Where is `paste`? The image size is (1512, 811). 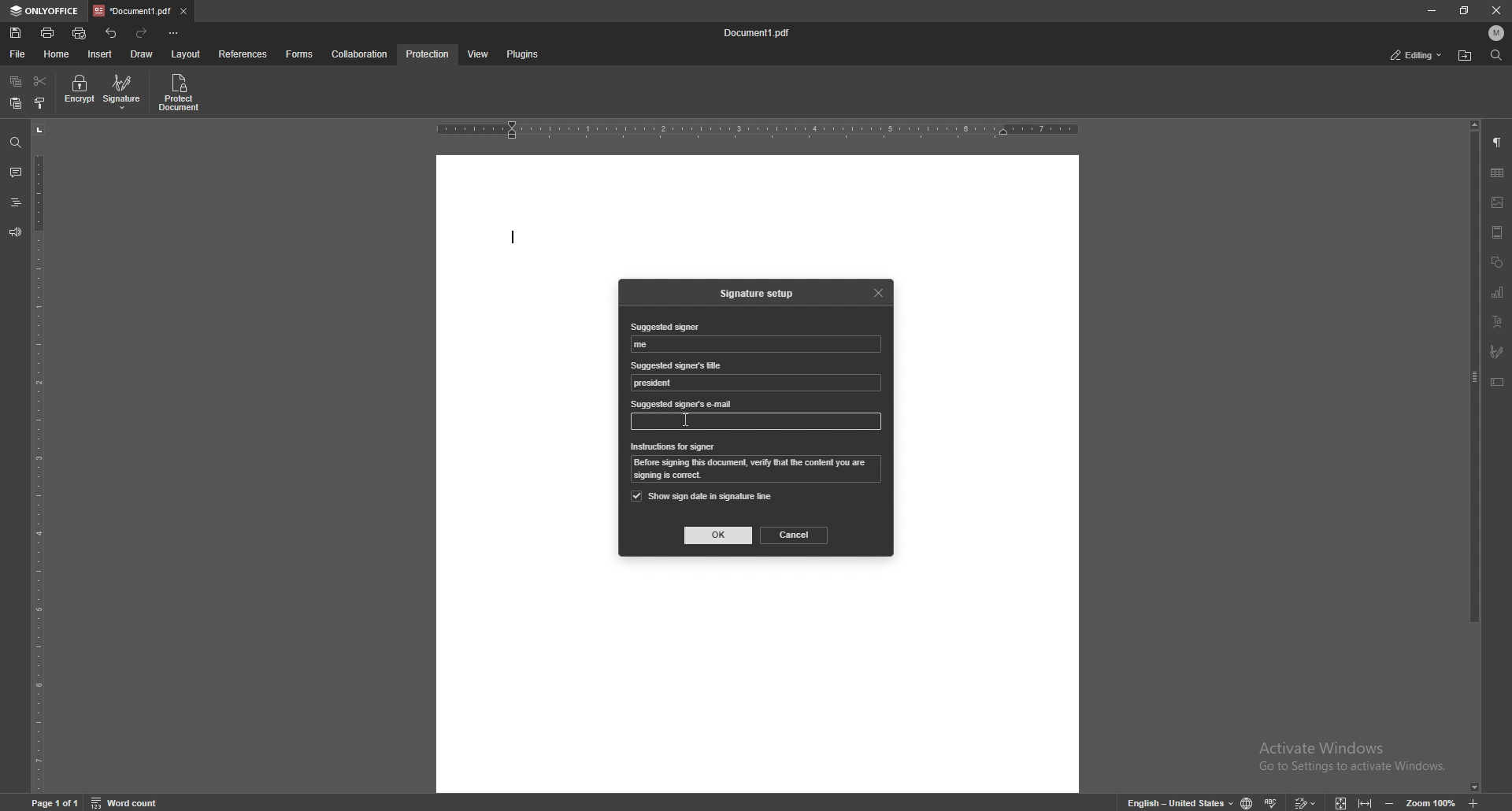
paste is located at coordinates (15, 104).